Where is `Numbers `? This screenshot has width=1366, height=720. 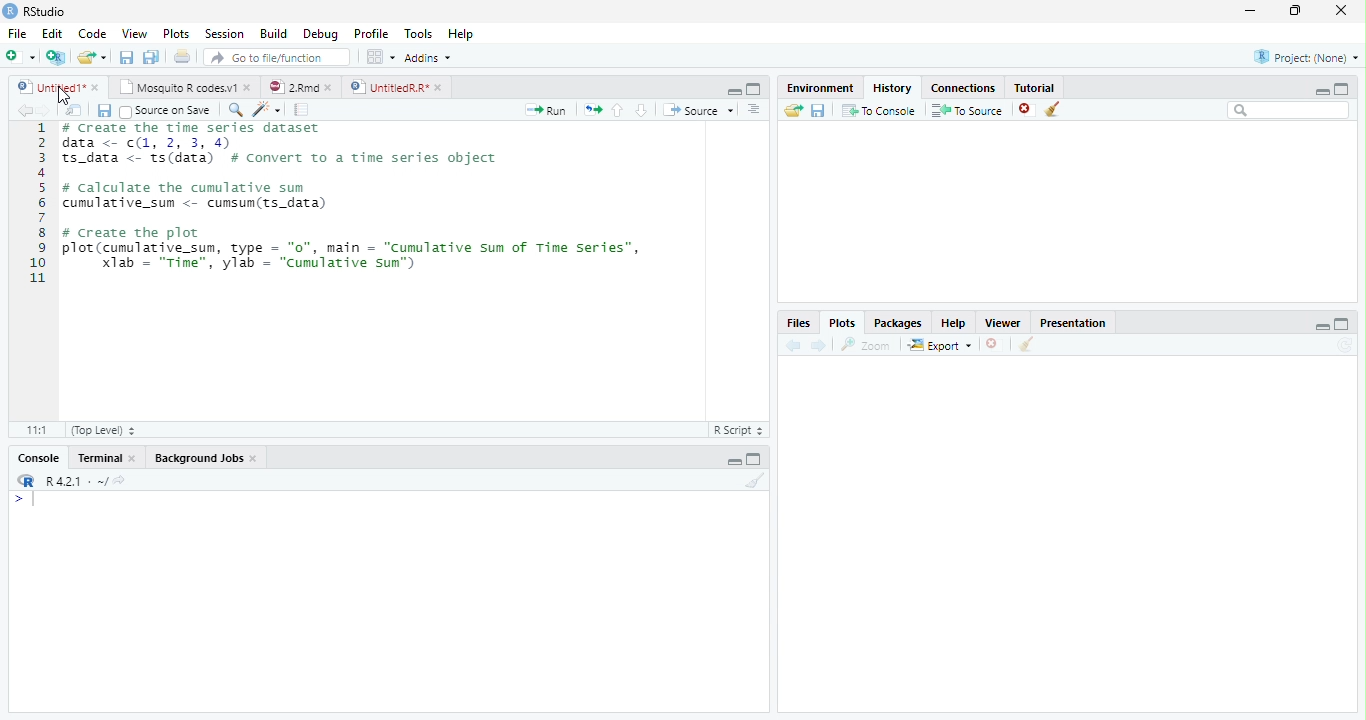
Numbers  is located at coordinates (38, 208).